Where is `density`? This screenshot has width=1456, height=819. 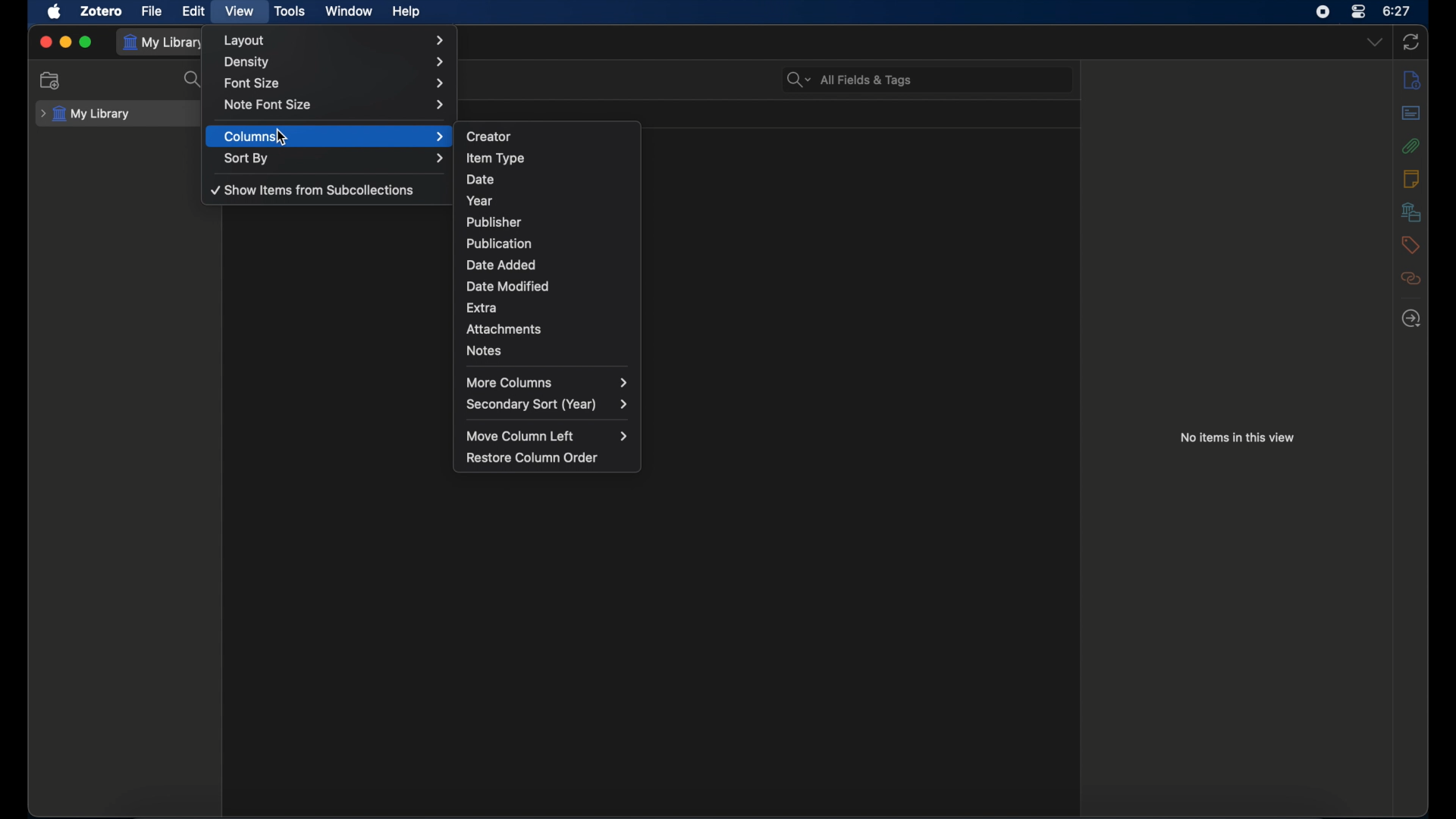 density is located at coordinates (335, 62).